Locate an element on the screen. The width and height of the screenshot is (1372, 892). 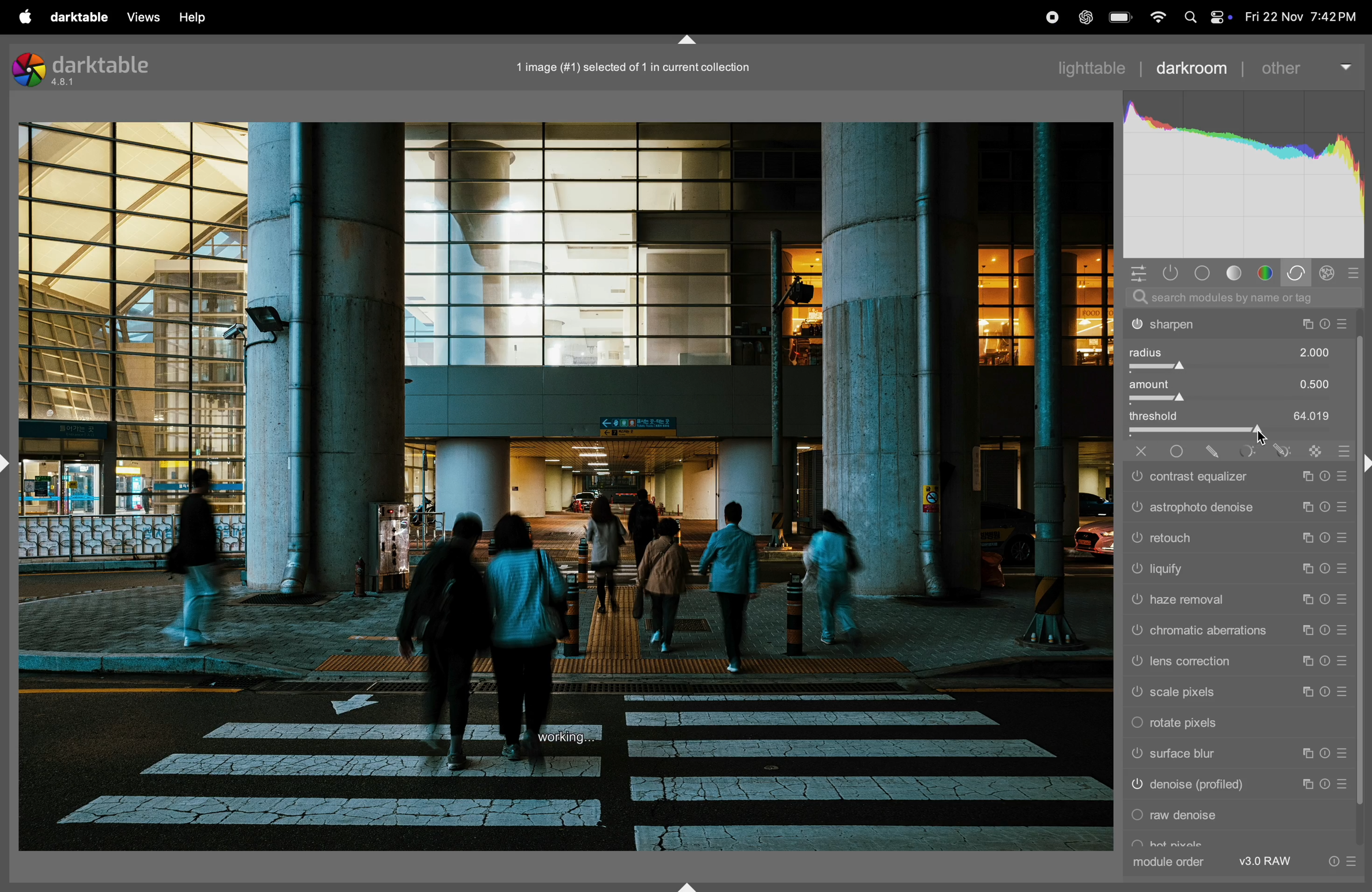
apple widgets is located at coordinates (1220, 17).